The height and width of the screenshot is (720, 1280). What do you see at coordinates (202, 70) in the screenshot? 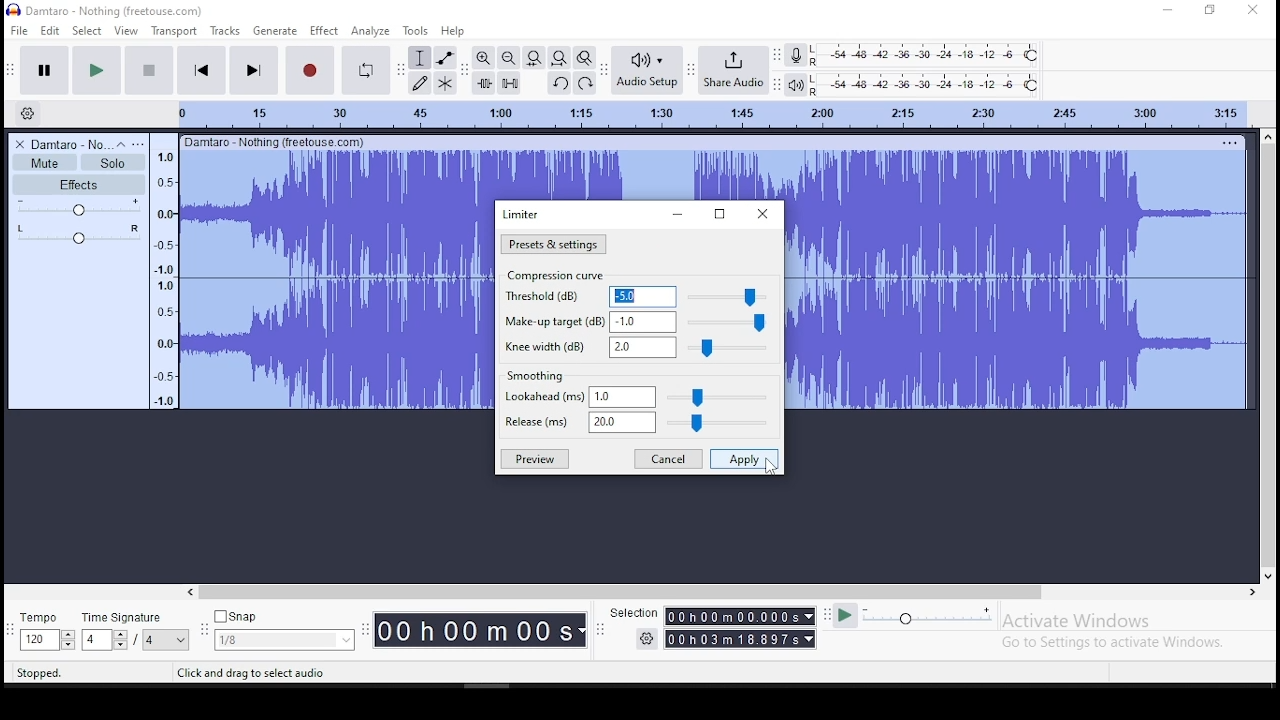
I see `skip to start` at bounding box center [202, 70].